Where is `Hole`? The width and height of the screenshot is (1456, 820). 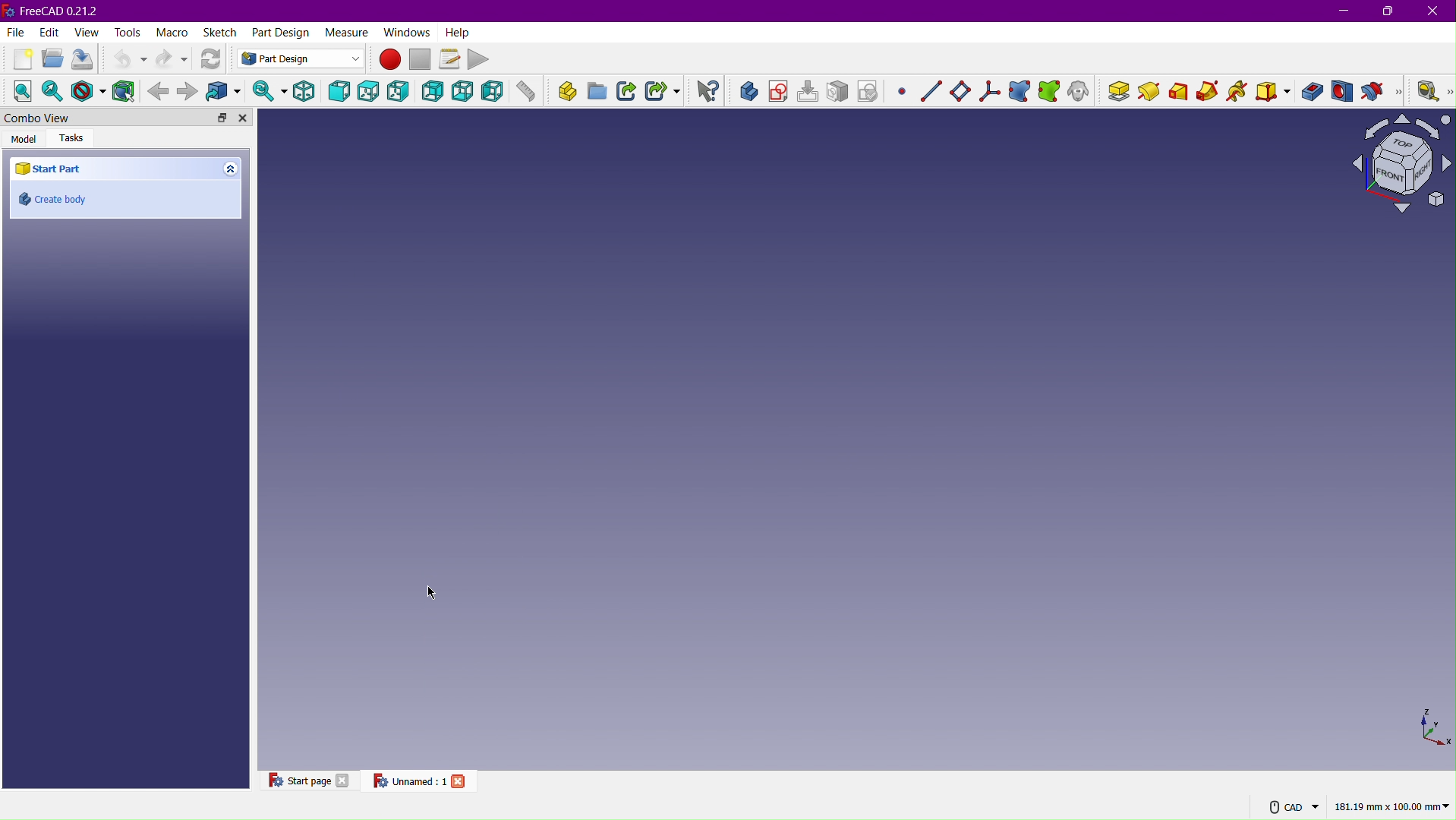 Hole is located at coordinates (1343, 93).